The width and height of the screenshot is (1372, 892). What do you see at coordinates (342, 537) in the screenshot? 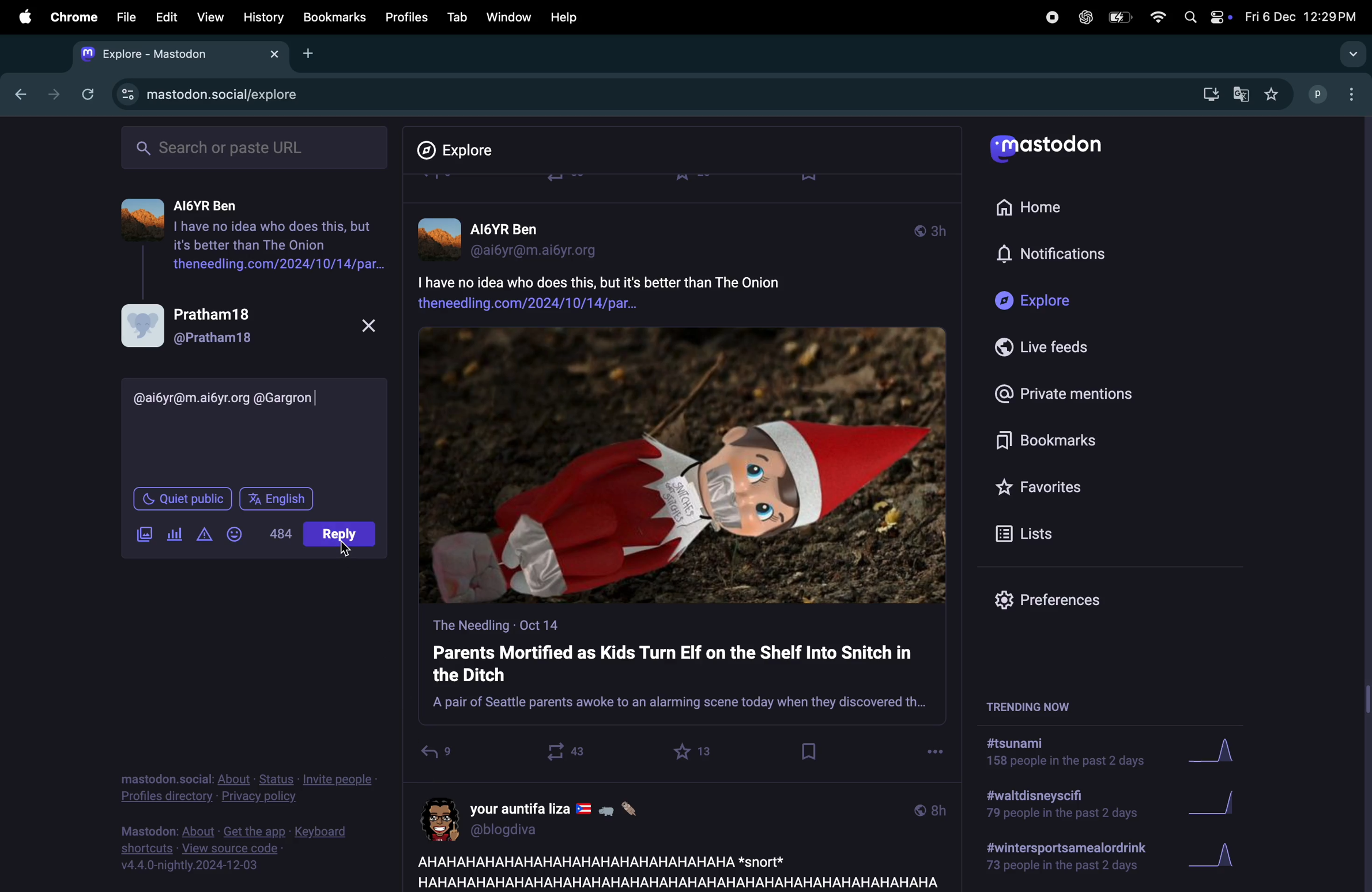
I see `Post` at bounding box center [342, 537].